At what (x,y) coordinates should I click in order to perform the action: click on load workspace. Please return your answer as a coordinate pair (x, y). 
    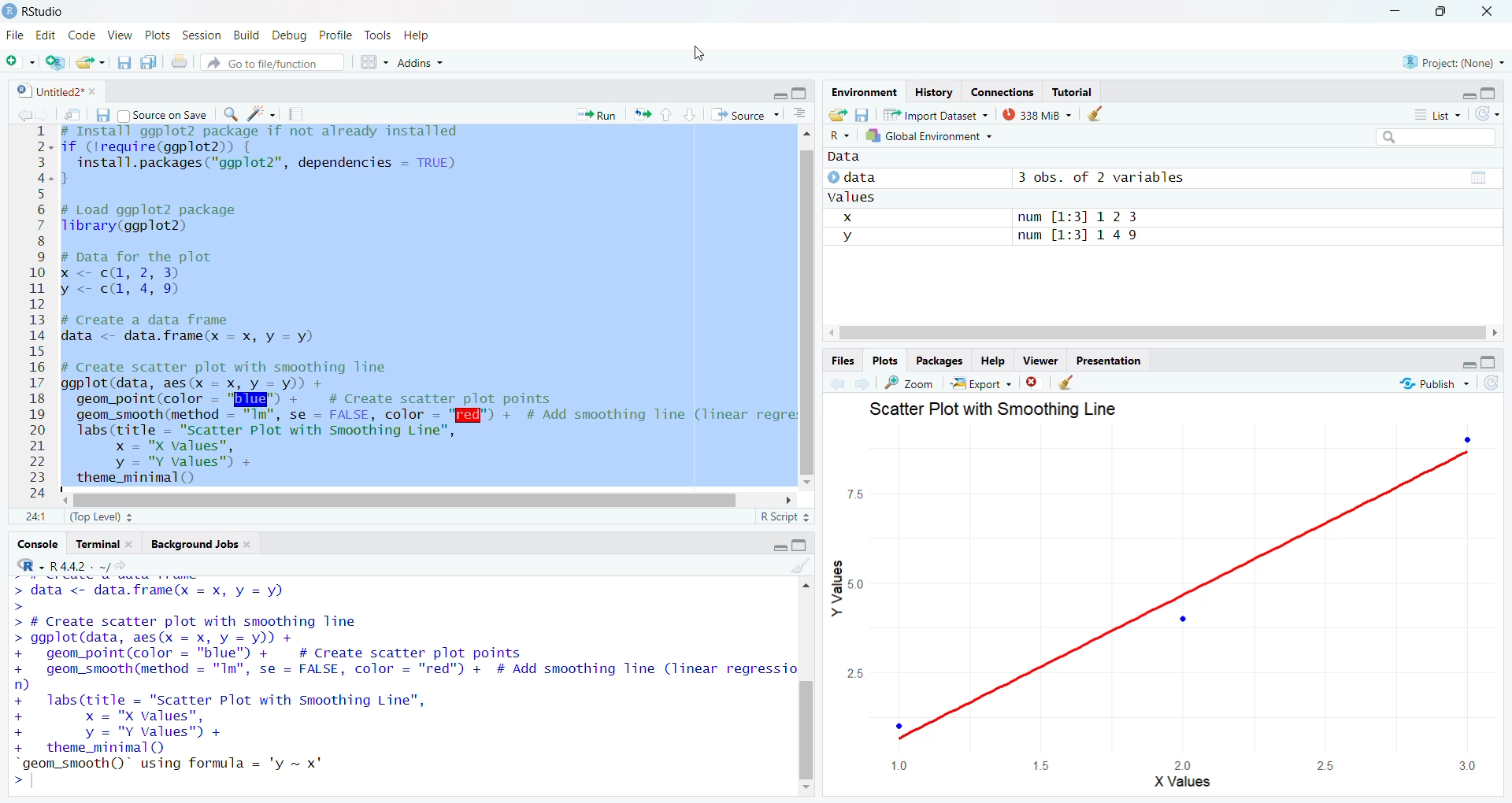
    Looking at the image, I should click on (838, 115).